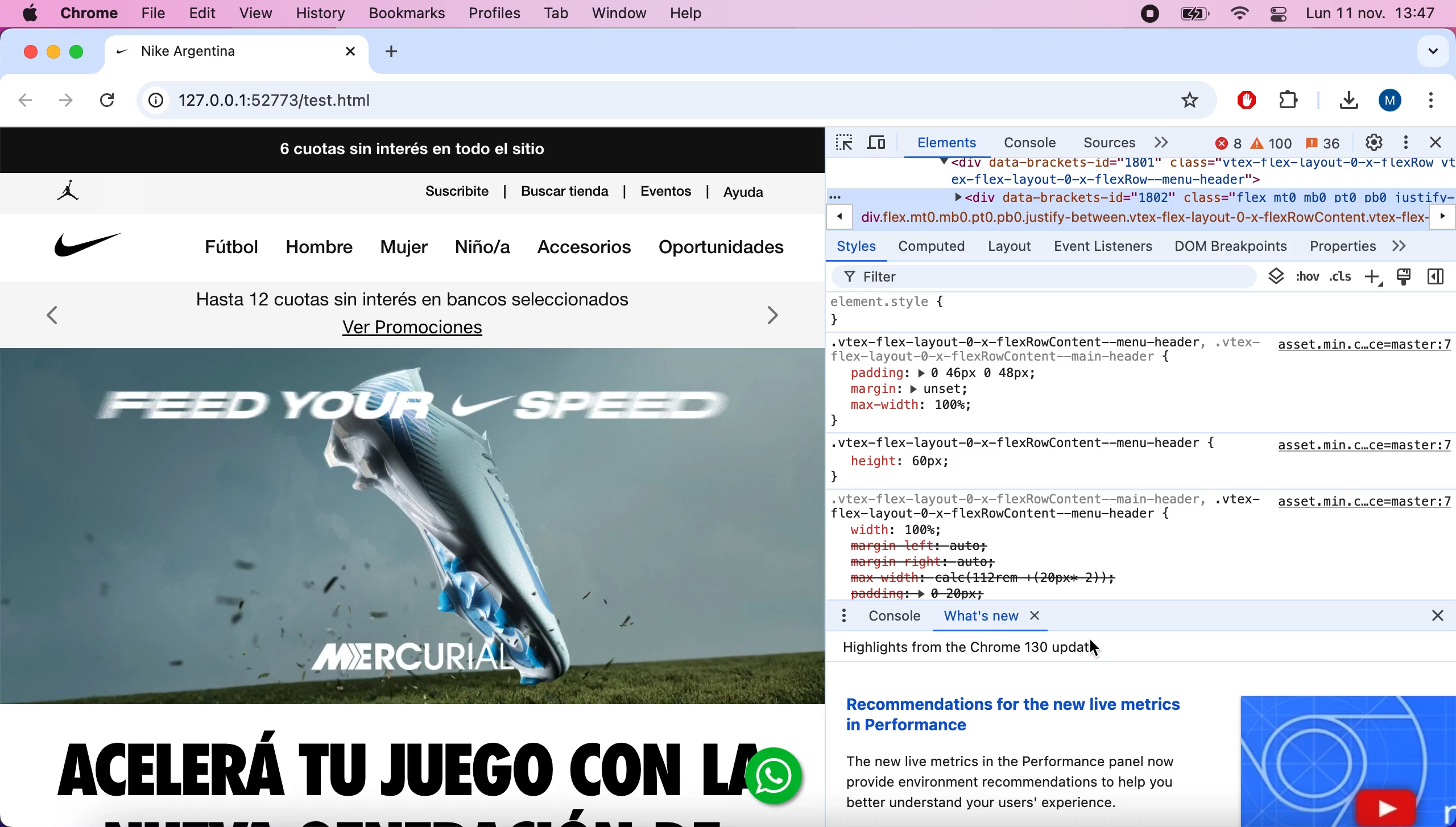 The height and width of the screenshot is (827, 1456). I want to click on favorites, so click(1192, 101).